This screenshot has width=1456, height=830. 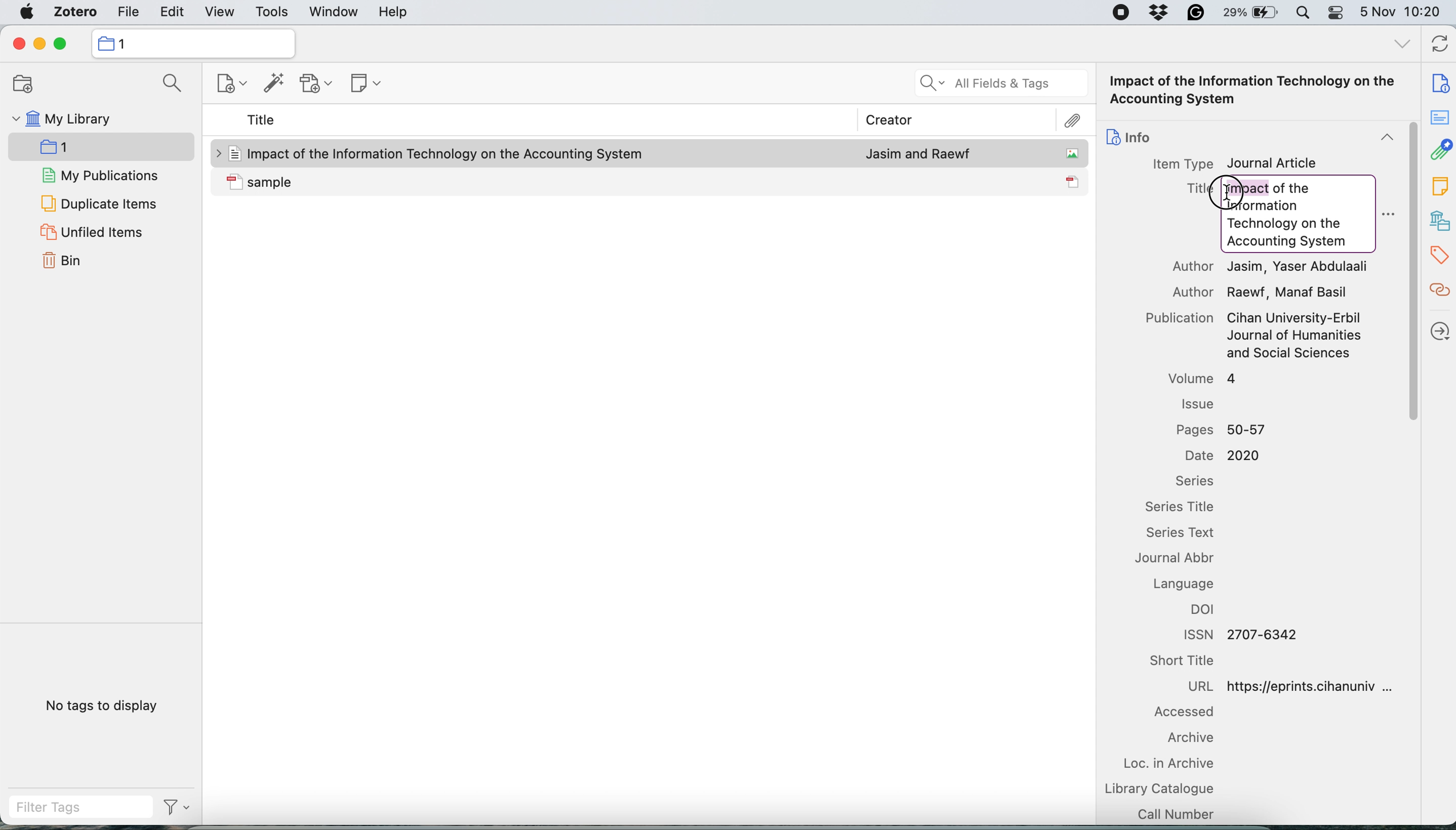 I want to click on screen recorder, so click(x=1123, y=12).